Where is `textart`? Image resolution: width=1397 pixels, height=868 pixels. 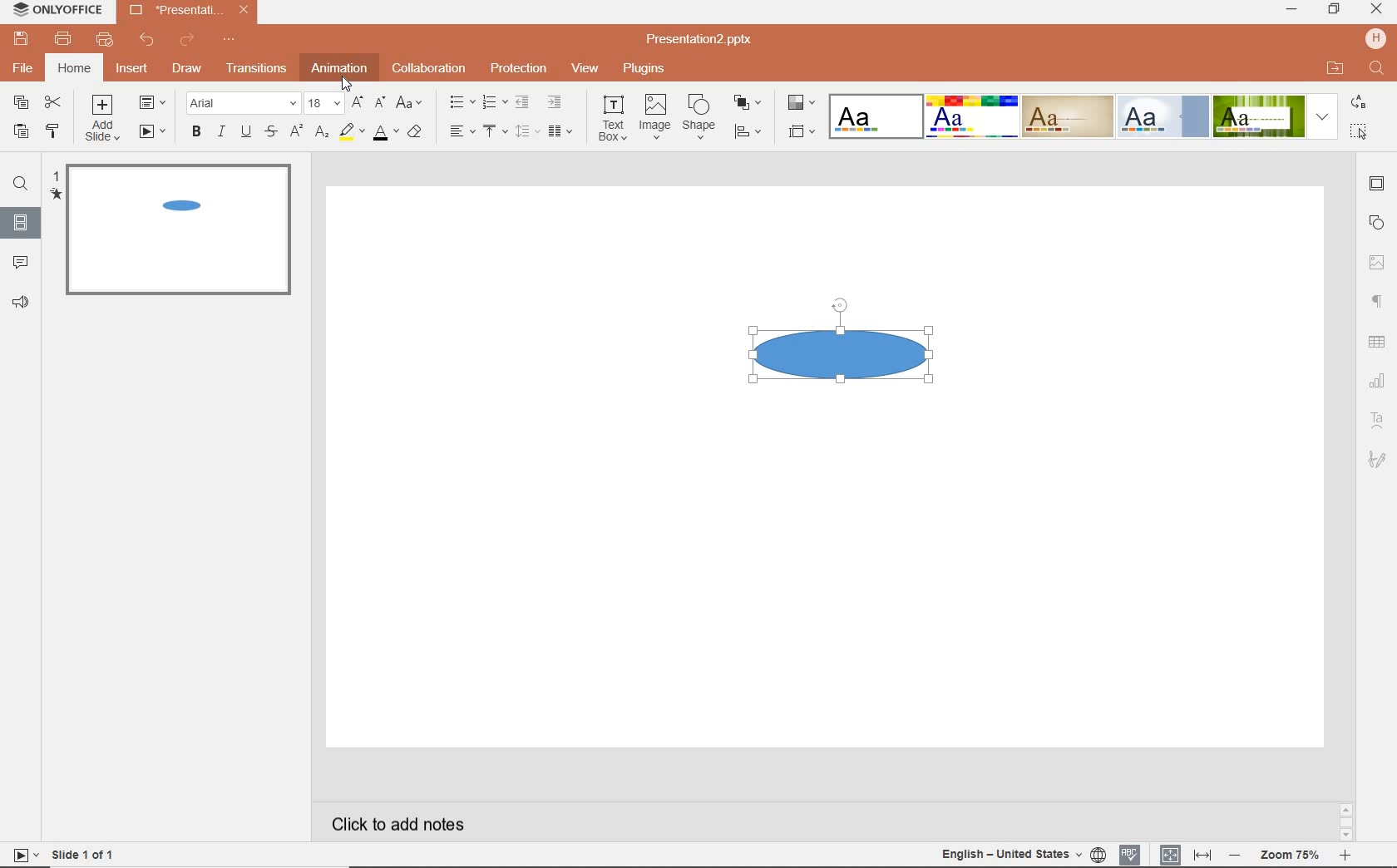
textart is located at coordinates (1379, 422).